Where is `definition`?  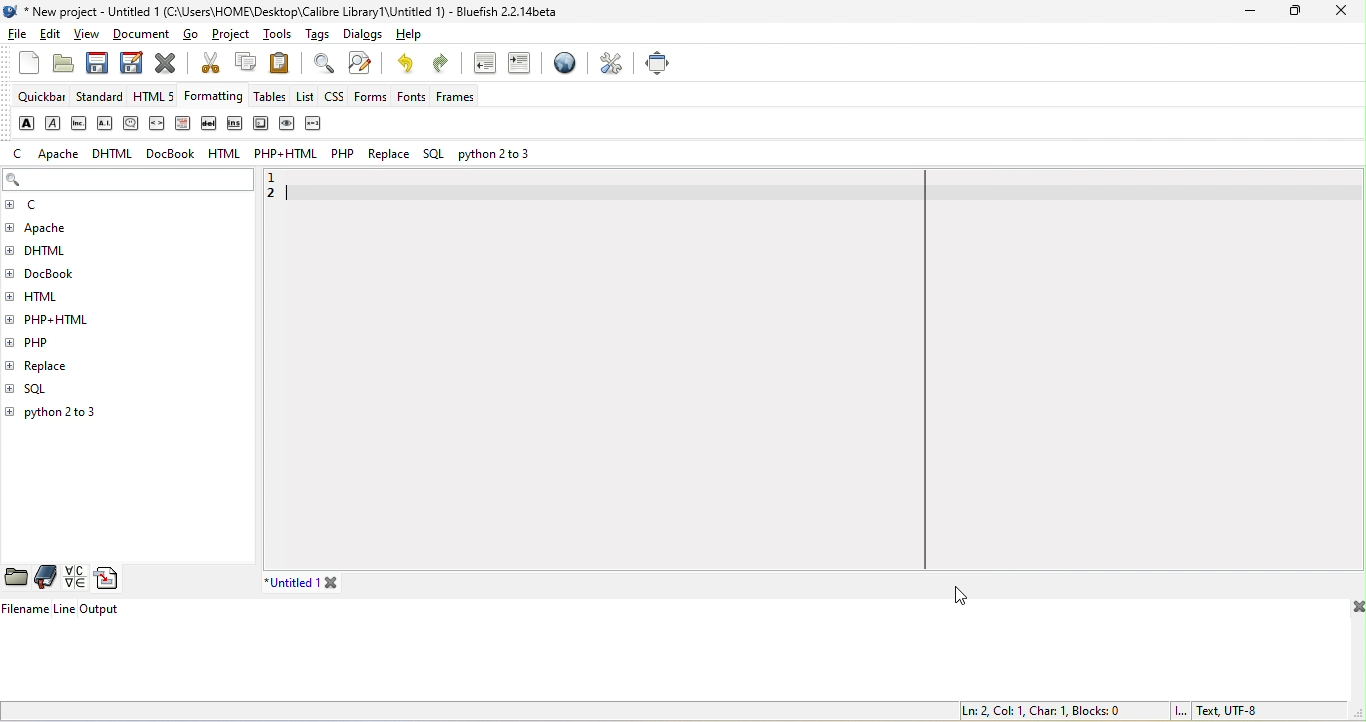 definition is located at coordinates (187, 124).